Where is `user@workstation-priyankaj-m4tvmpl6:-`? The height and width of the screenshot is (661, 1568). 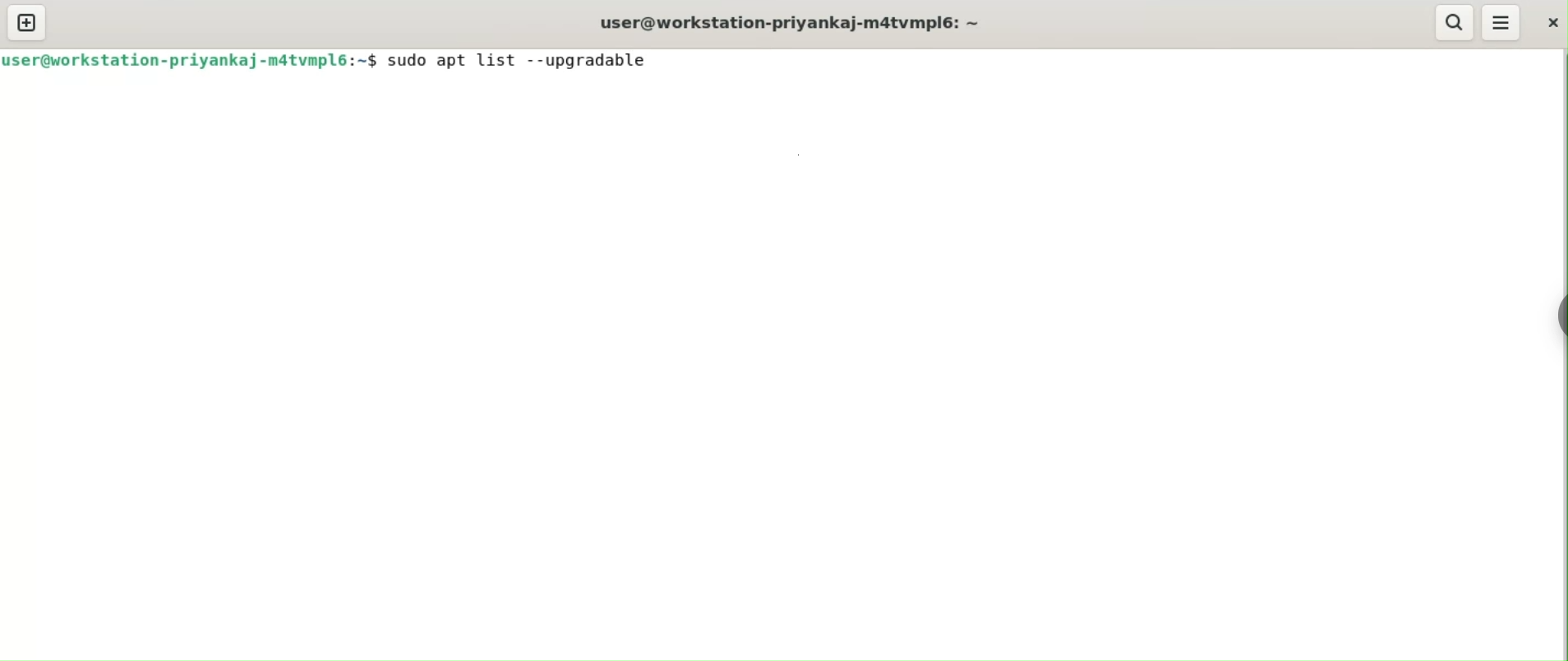 user@workstation-priyankaj-m4tvmpl6:- is located at coordinates (796, 23).